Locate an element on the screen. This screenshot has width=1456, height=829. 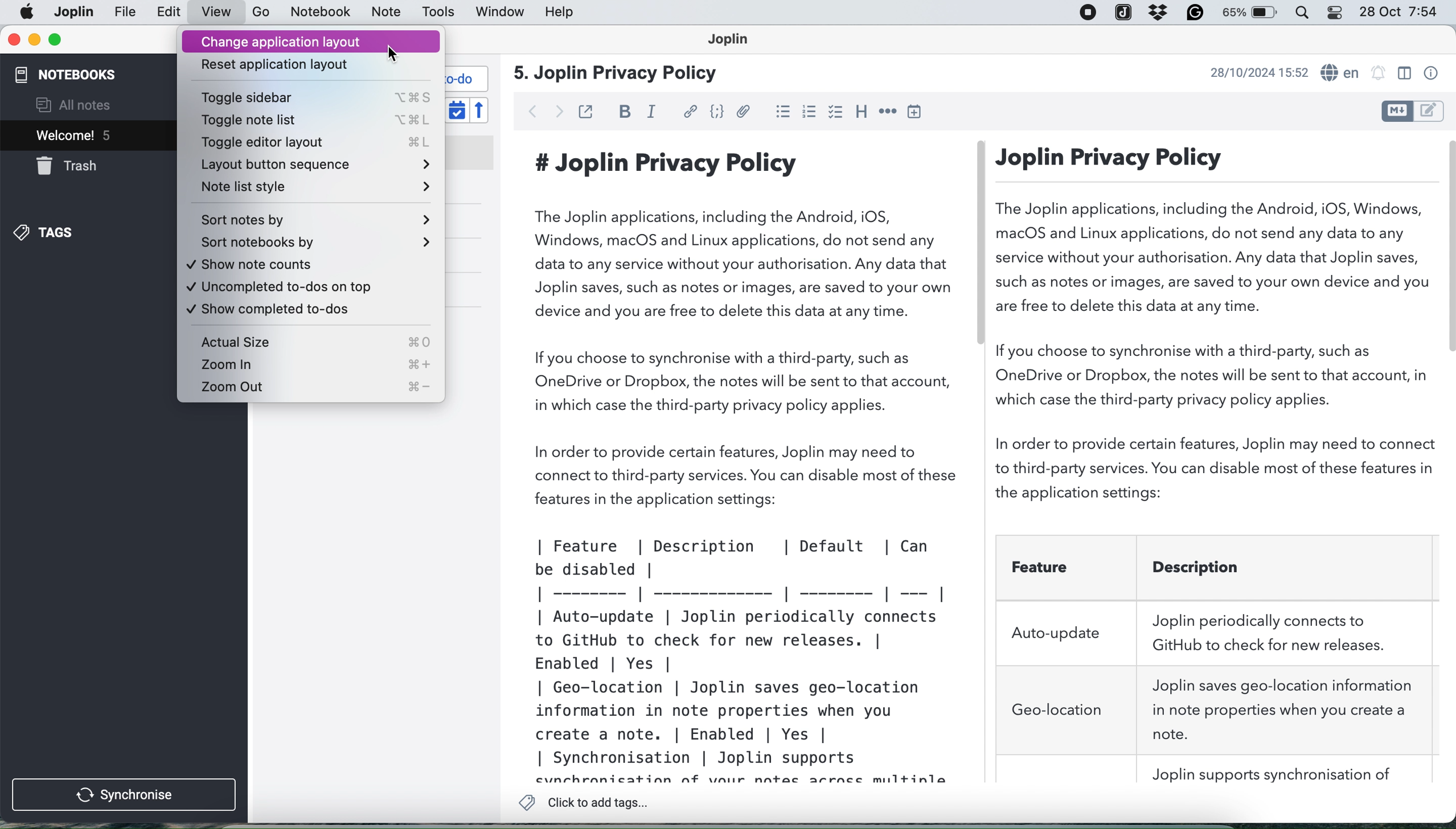
trash is located at coordinates (68, 166).